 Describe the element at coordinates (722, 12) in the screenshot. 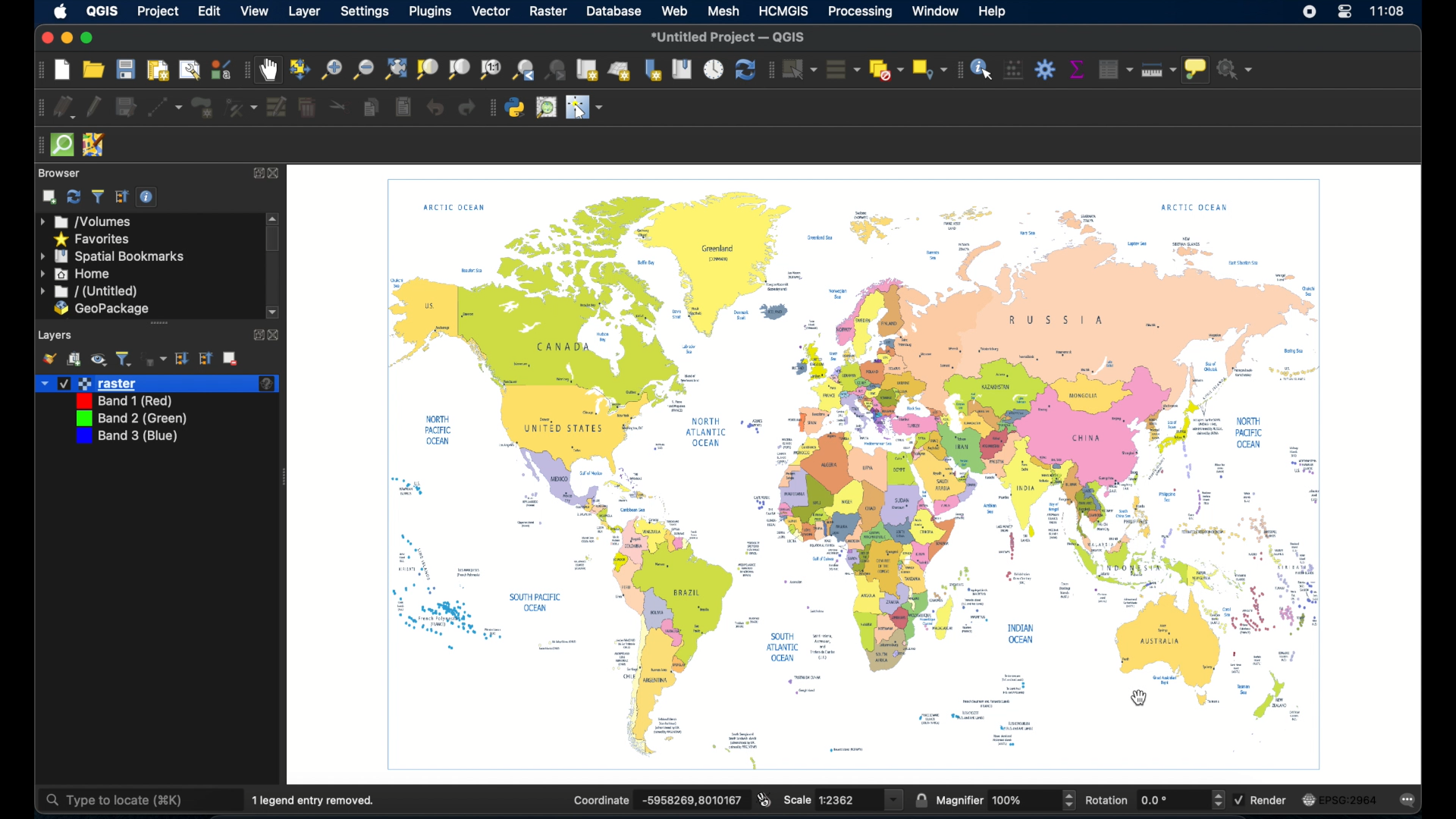

I see `mesh` at that location.